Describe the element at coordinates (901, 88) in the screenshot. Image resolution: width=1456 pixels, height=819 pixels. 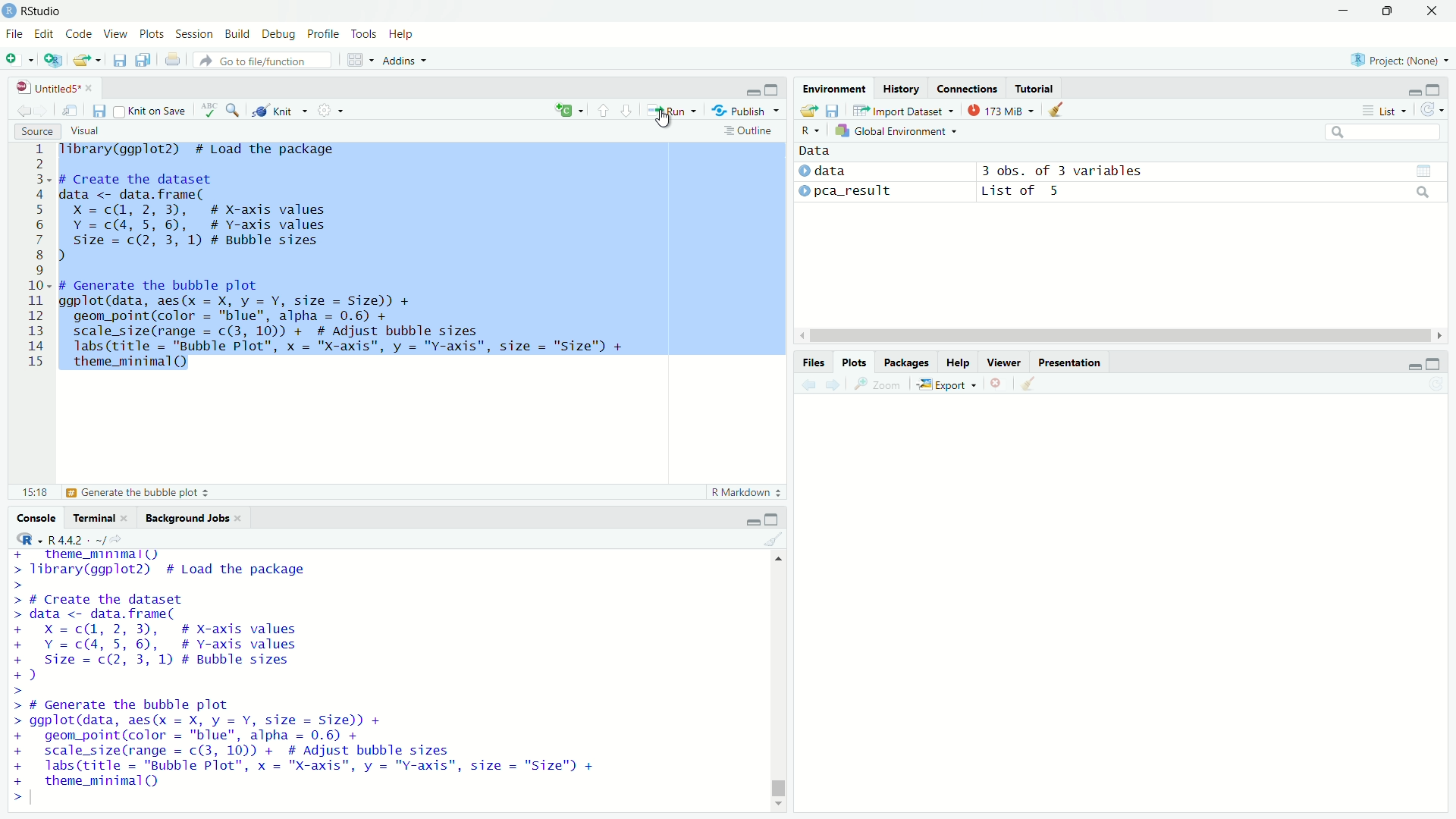
I see `history` at that location.